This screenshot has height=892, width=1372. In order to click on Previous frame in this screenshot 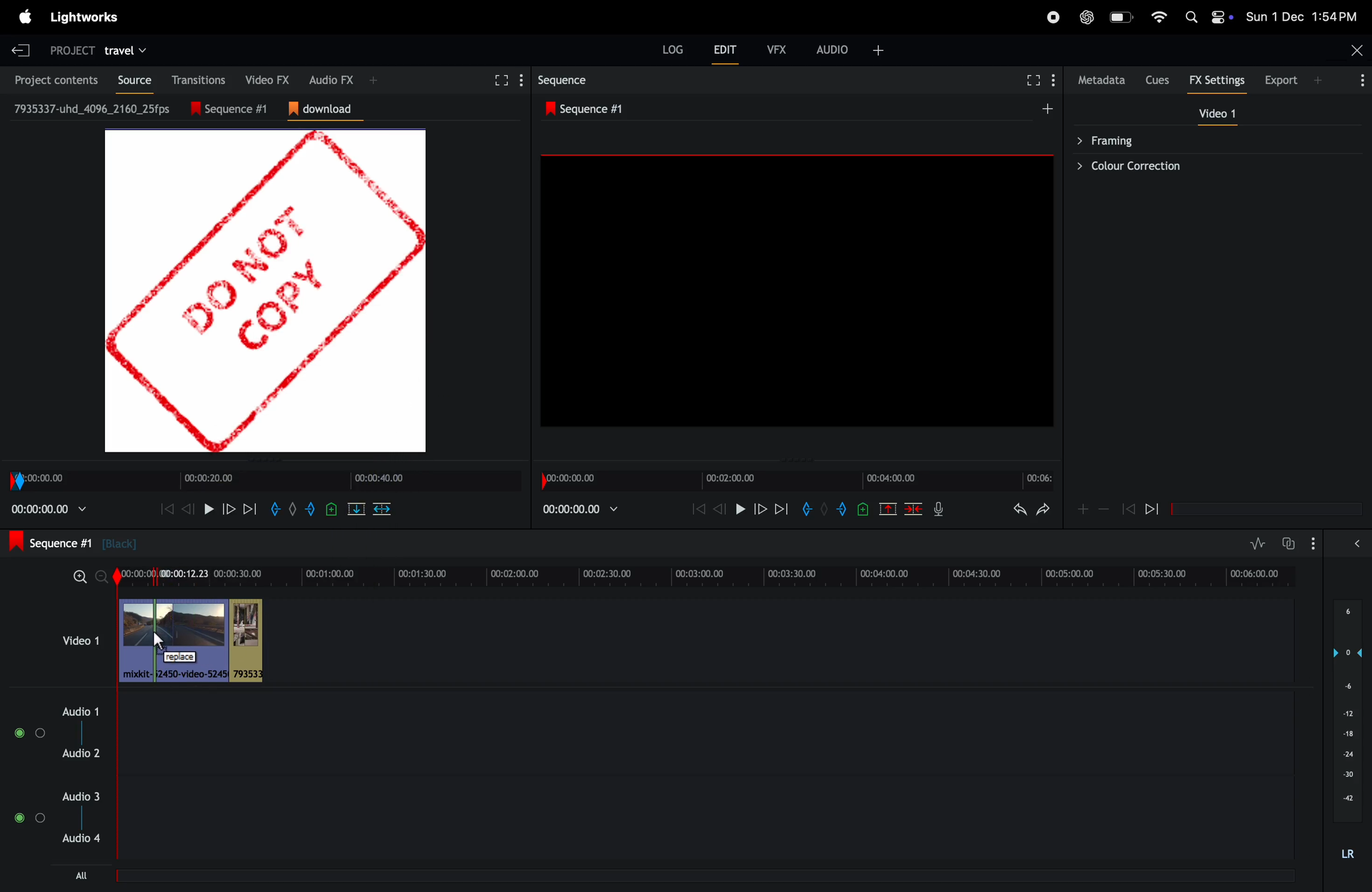, I will do `click(167, 509)`.